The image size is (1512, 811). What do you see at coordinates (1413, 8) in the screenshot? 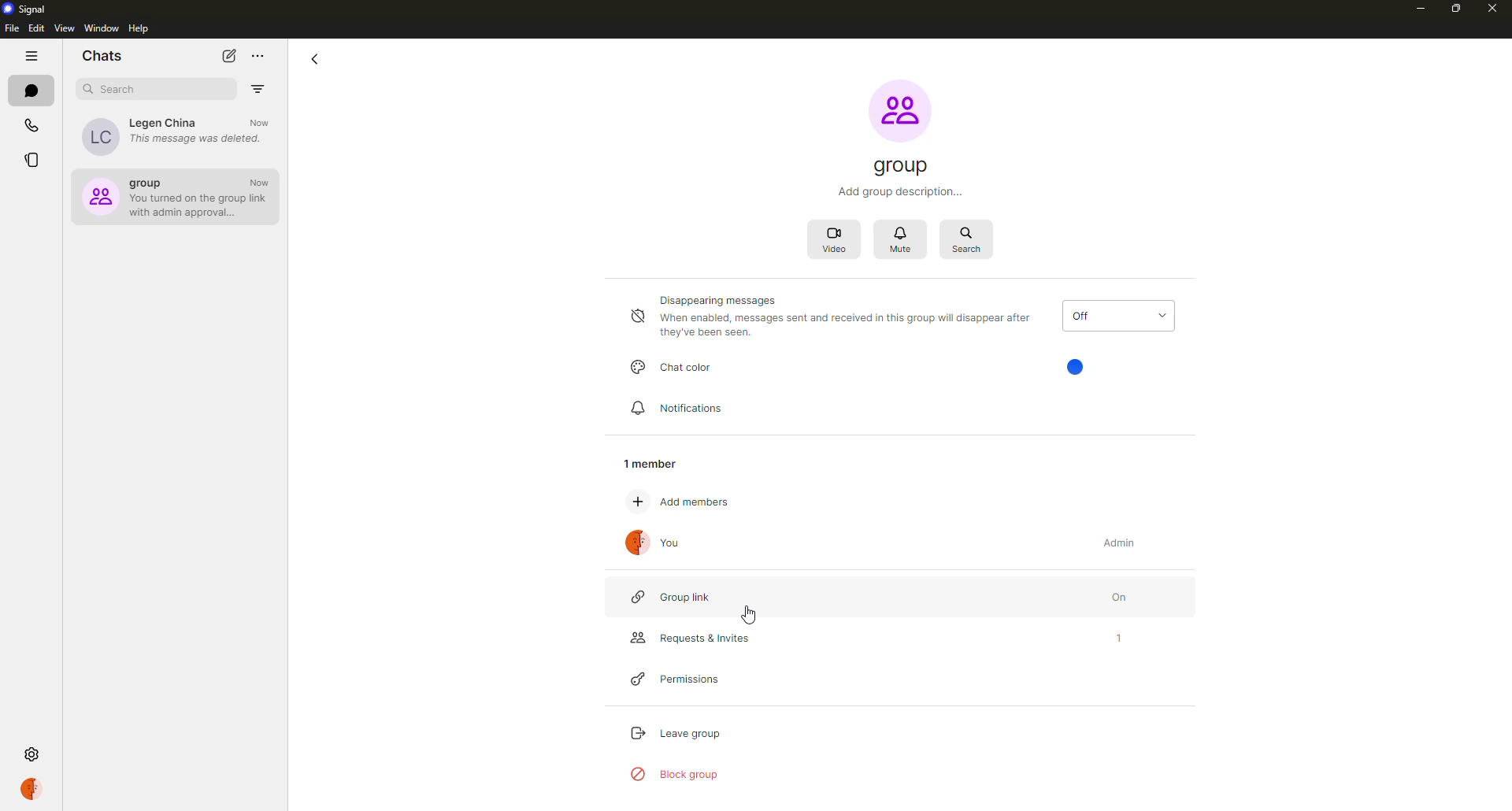
I see `minimize` at bounding box center [1413, 8].